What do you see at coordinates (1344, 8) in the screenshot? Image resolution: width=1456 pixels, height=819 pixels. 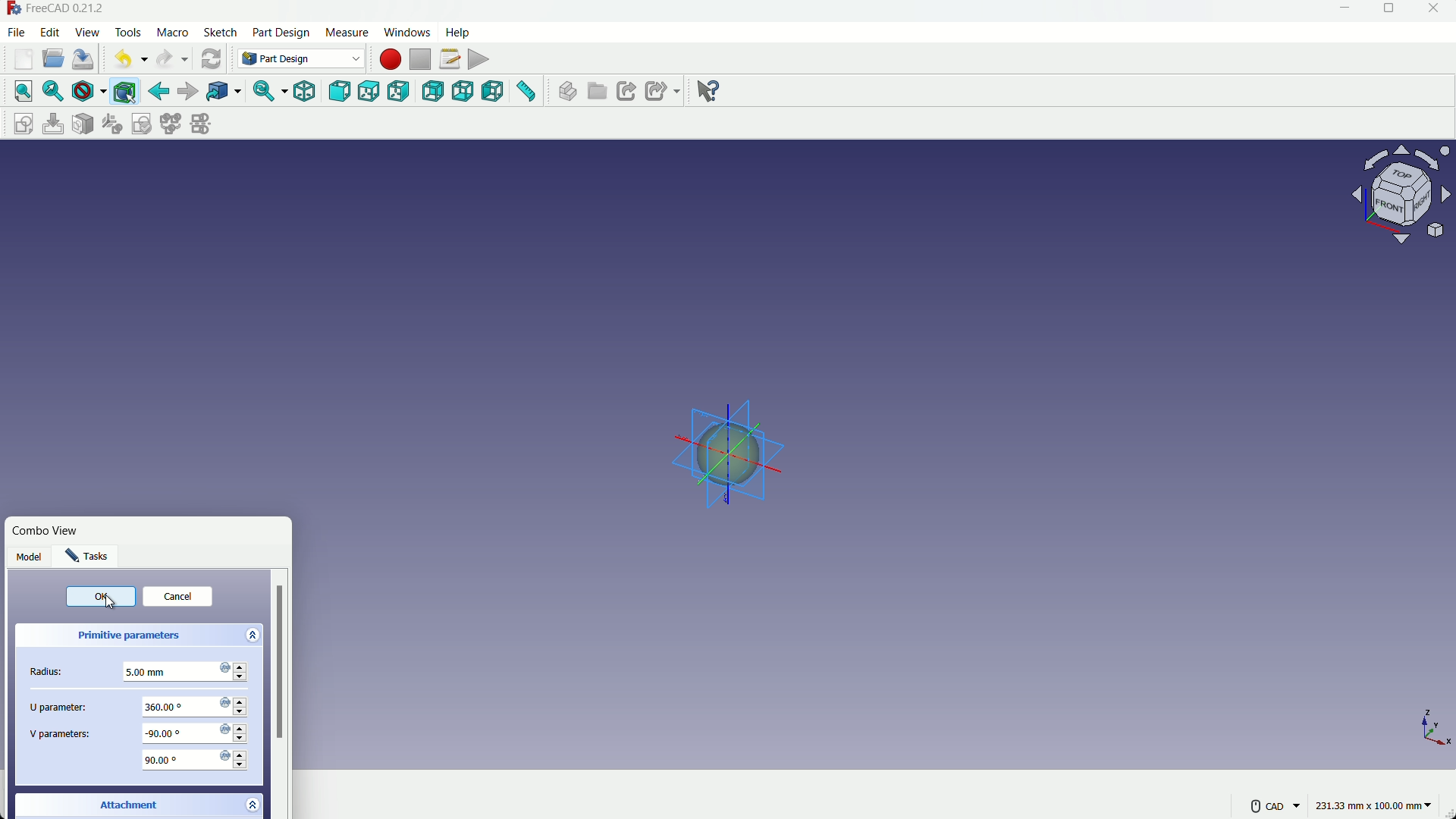 I see `minimize` at bounding box center [1344, 8].